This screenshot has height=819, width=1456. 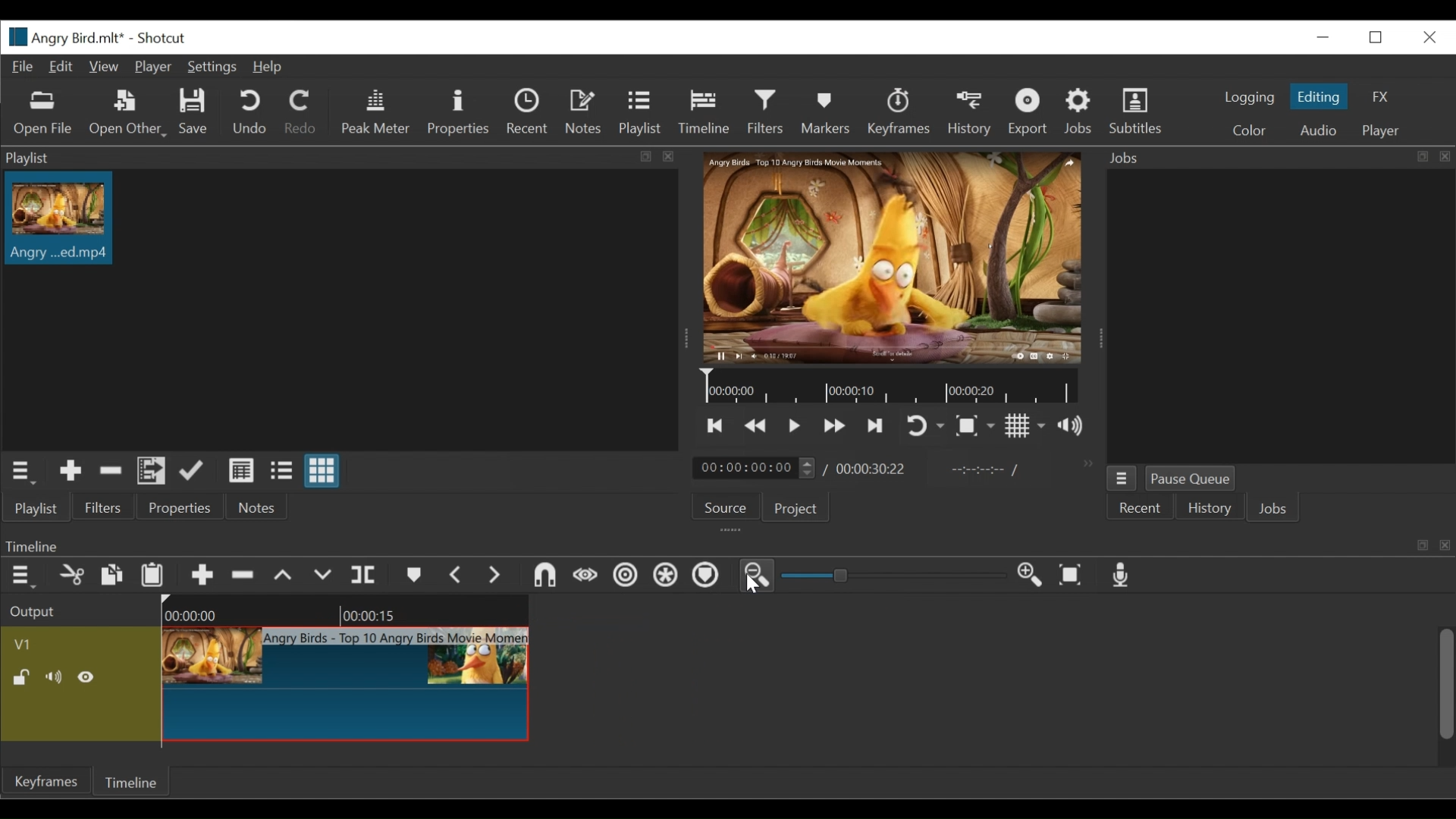 What do you see at coordinates (105, 507) in the screenshot?
I see `Filters` at bounding box center [105, 507].